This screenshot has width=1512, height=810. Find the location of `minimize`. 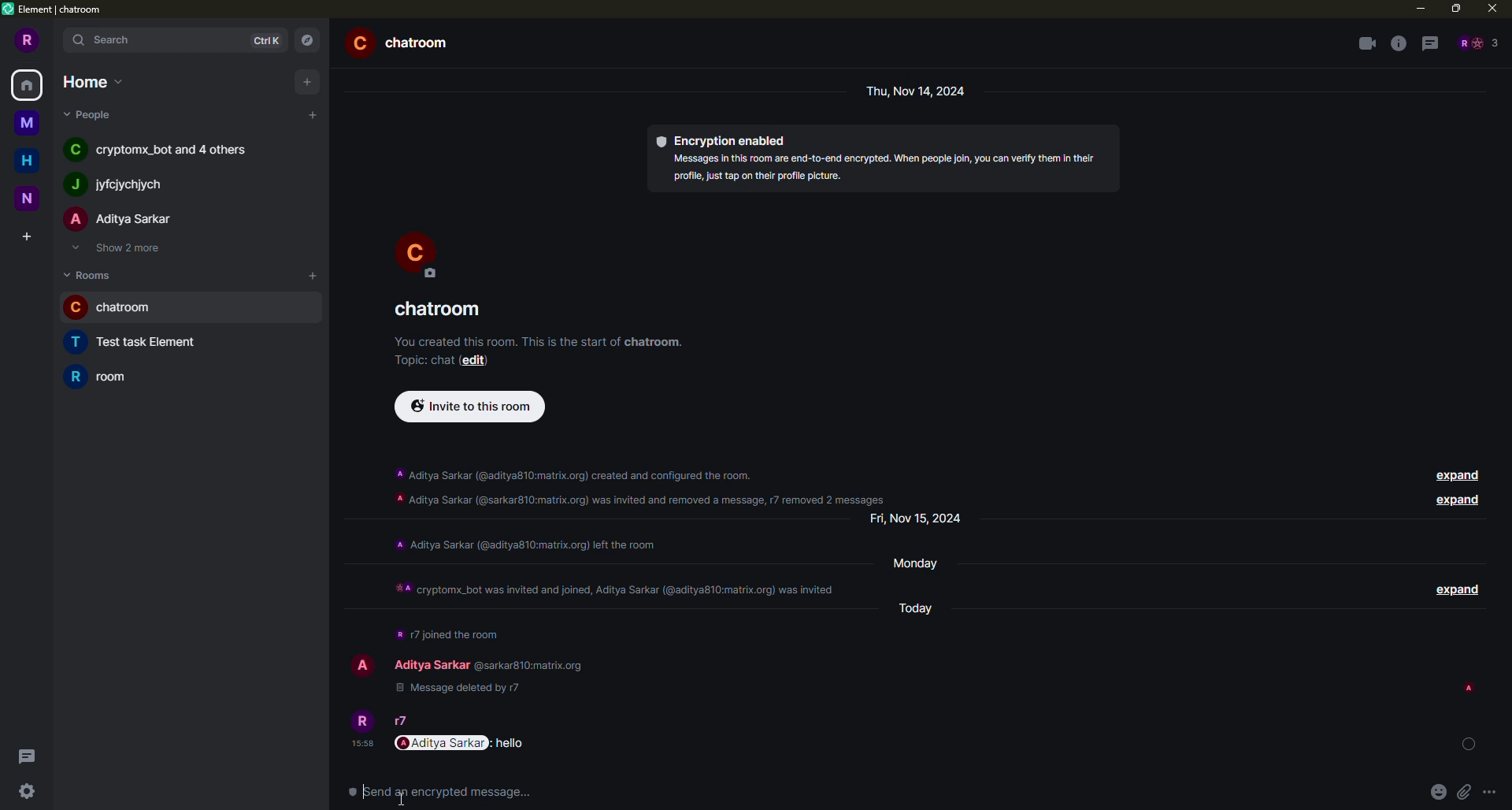

minimize is located at coordinates (1417, 8).